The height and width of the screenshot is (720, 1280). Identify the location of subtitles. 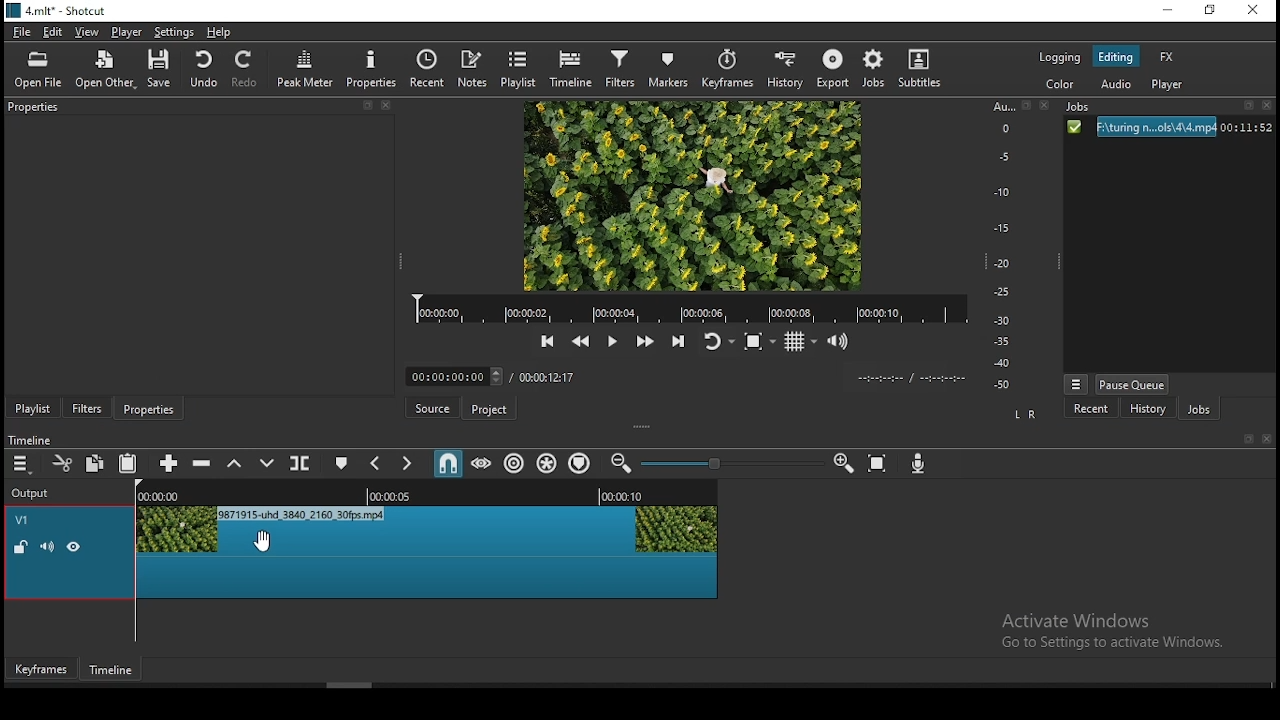
(919, 67).